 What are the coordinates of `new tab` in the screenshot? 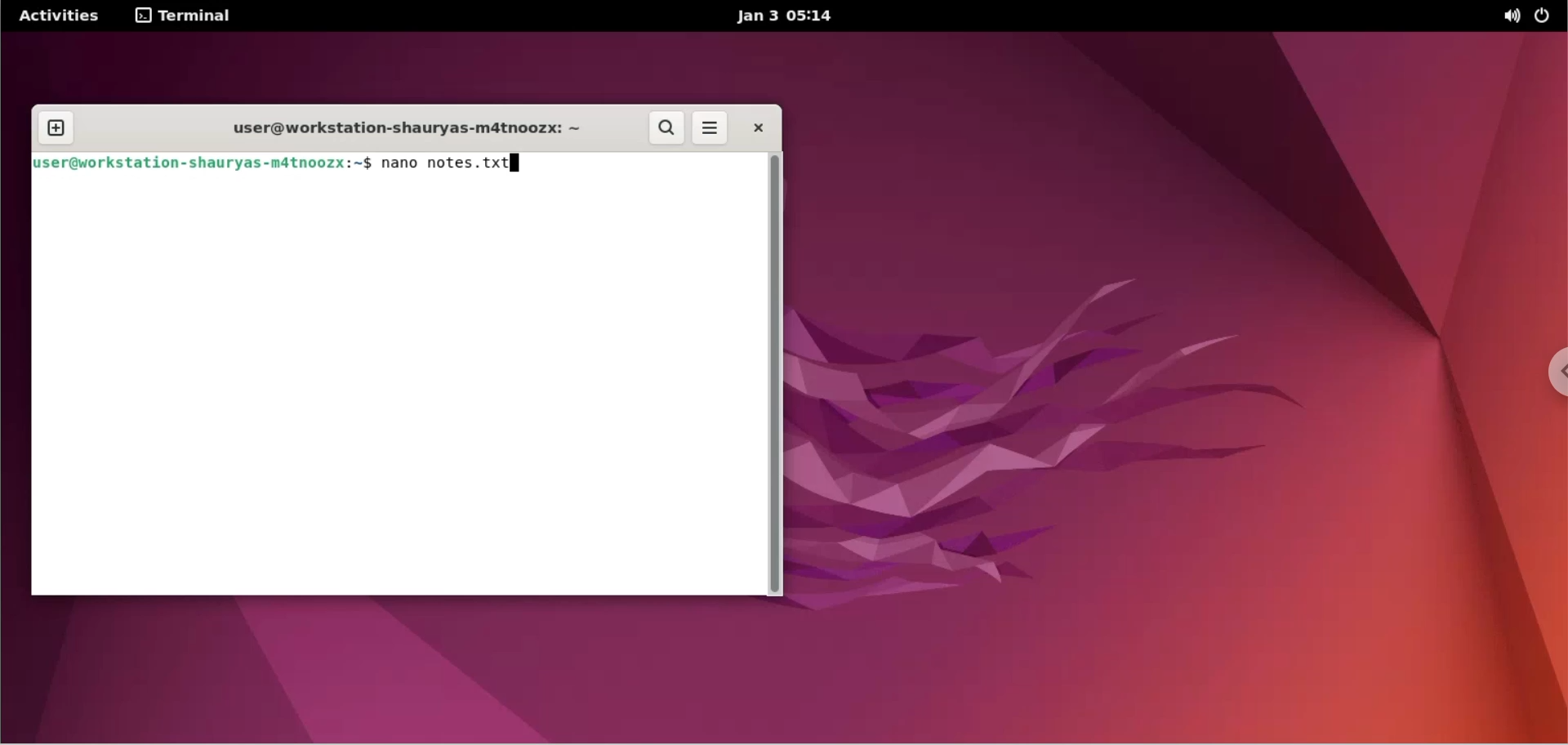 It's located at (55, 130).